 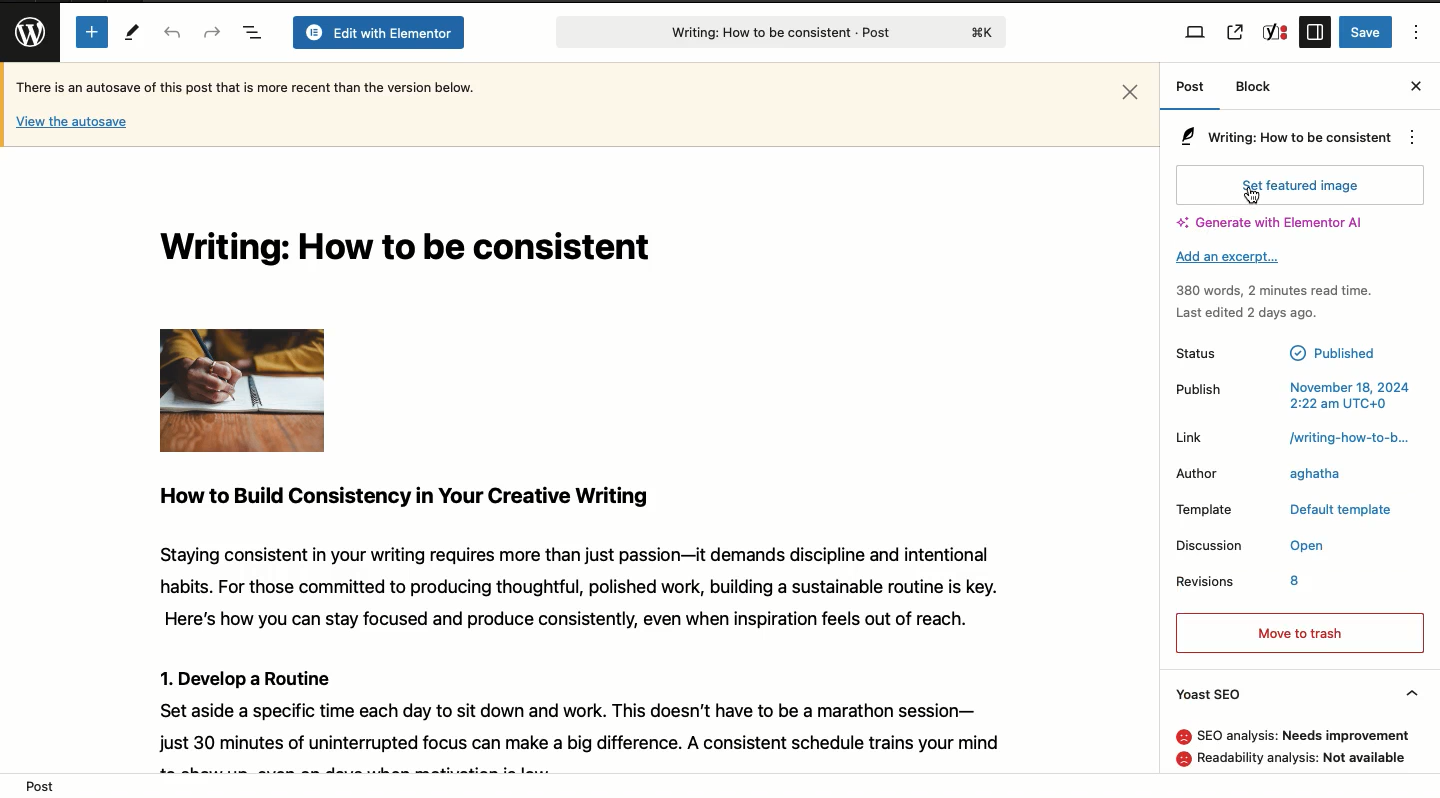 What do you see at coordinates (1366, 32) in the screenshot?
I see `Save` at bounding box center [1366, 32].